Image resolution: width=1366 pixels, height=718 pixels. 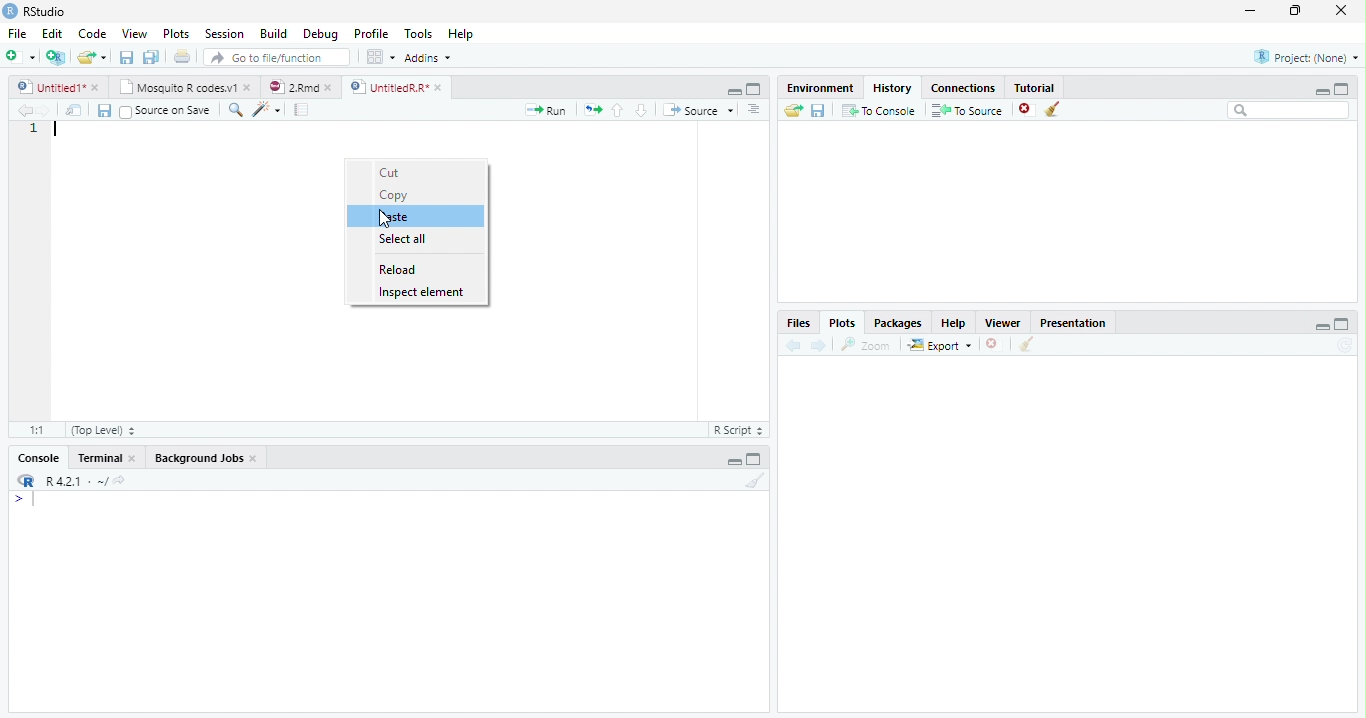 I want to click on Workplace panes, so click(x=379, y=56).